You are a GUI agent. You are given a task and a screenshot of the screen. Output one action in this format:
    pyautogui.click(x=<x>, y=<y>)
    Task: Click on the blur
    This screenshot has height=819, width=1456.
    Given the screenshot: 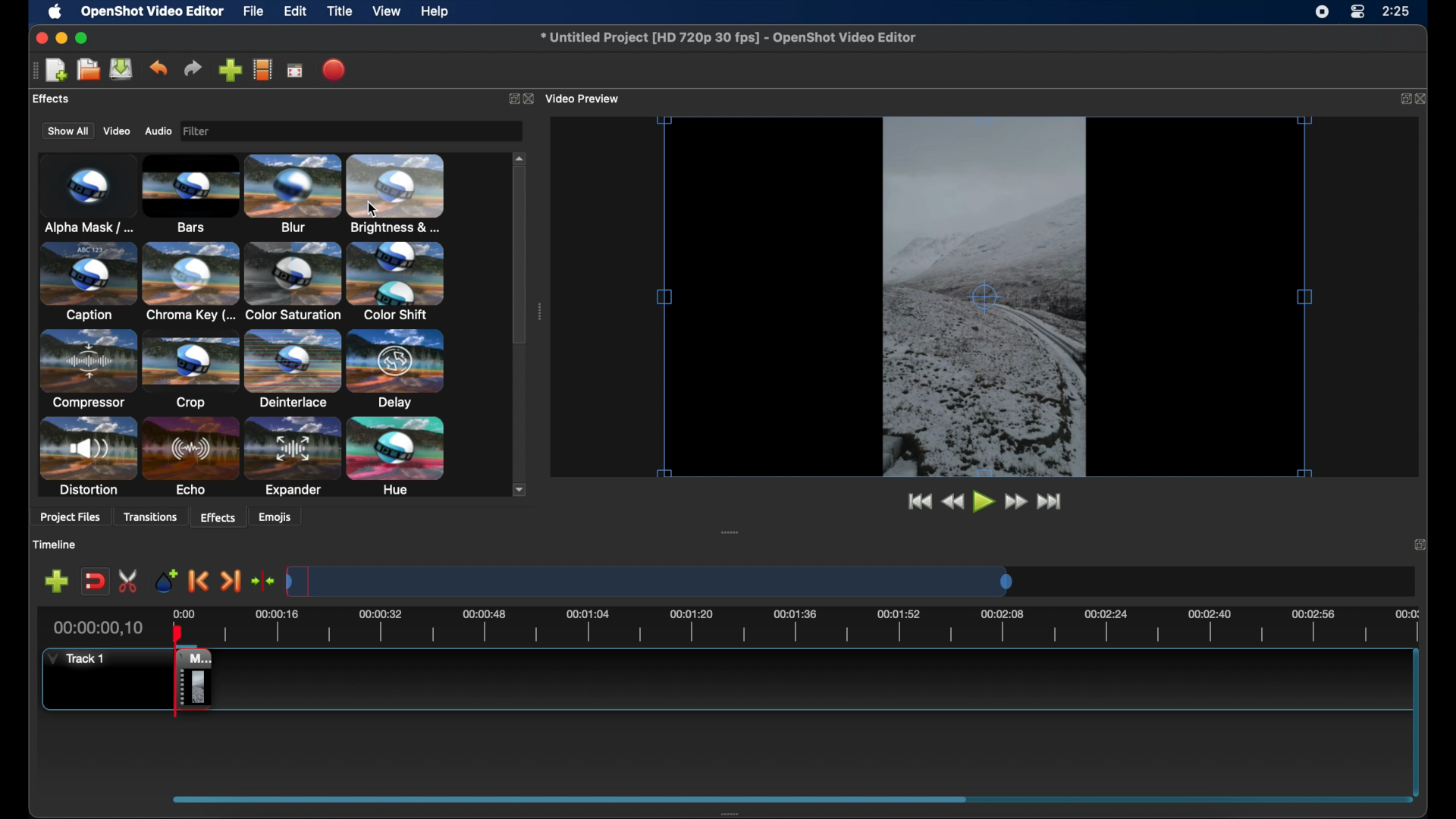 What is the action you would take?
    pyautogui.click(x=293, y=192)
    